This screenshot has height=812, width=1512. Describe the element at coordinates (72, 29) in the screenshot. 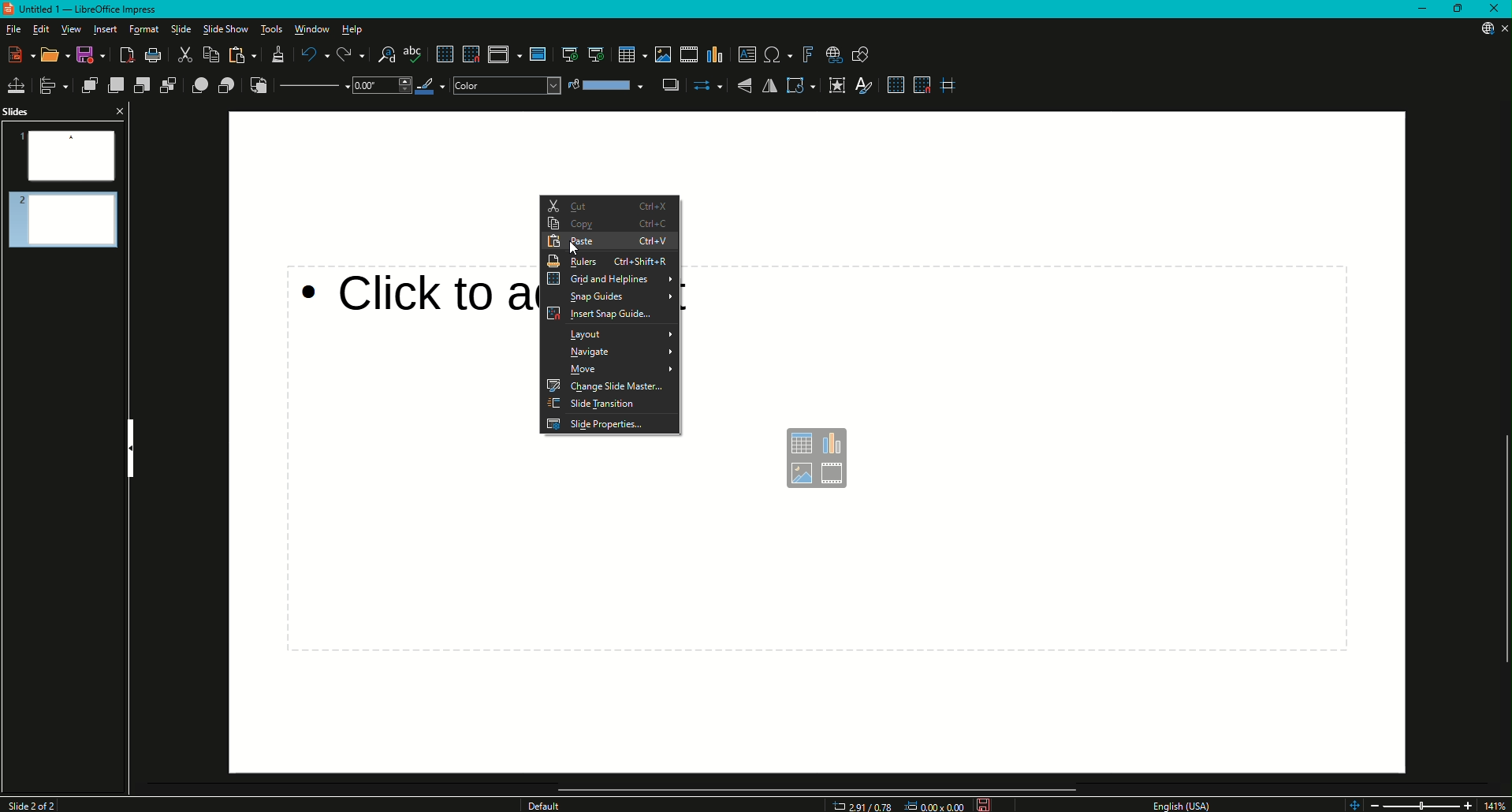

I see `View` at that location.